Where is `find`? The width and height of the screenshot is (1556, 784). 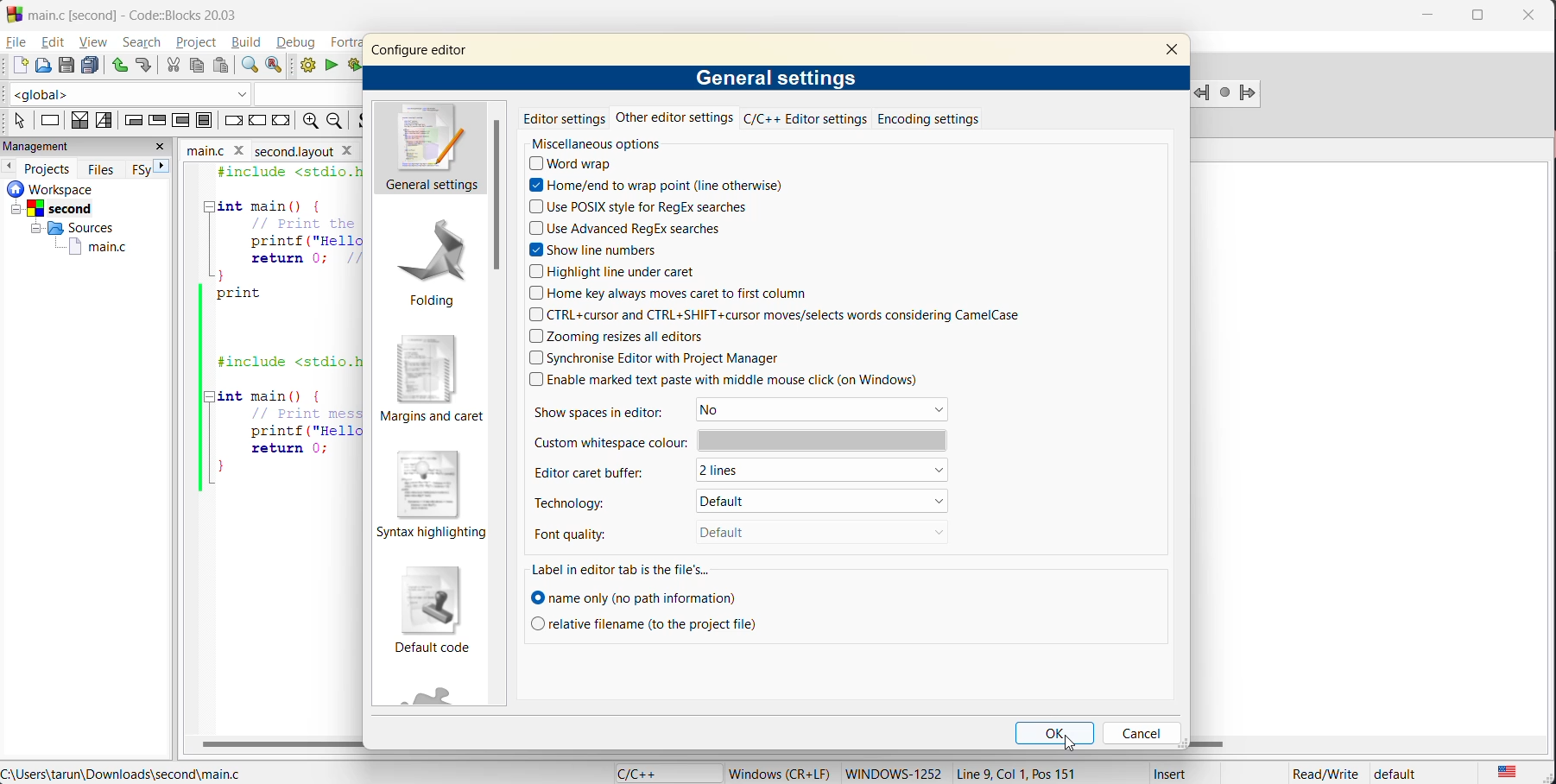
find is located at coordinates (247, 66).